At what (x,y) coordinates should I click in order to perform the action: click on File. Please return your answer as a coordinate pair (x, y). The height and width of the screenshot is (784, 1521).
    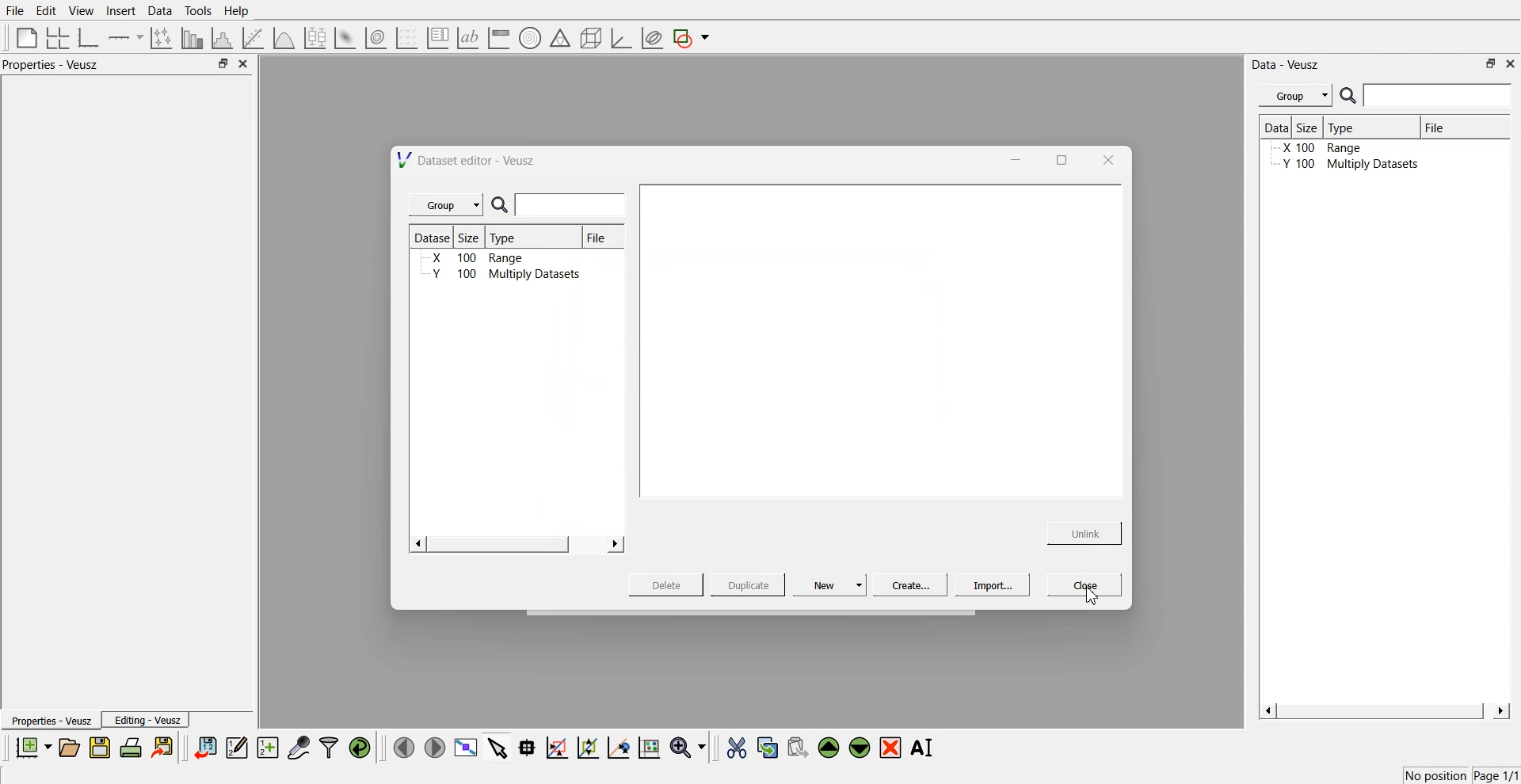
    Looking at the image, I should click on (602, 237).